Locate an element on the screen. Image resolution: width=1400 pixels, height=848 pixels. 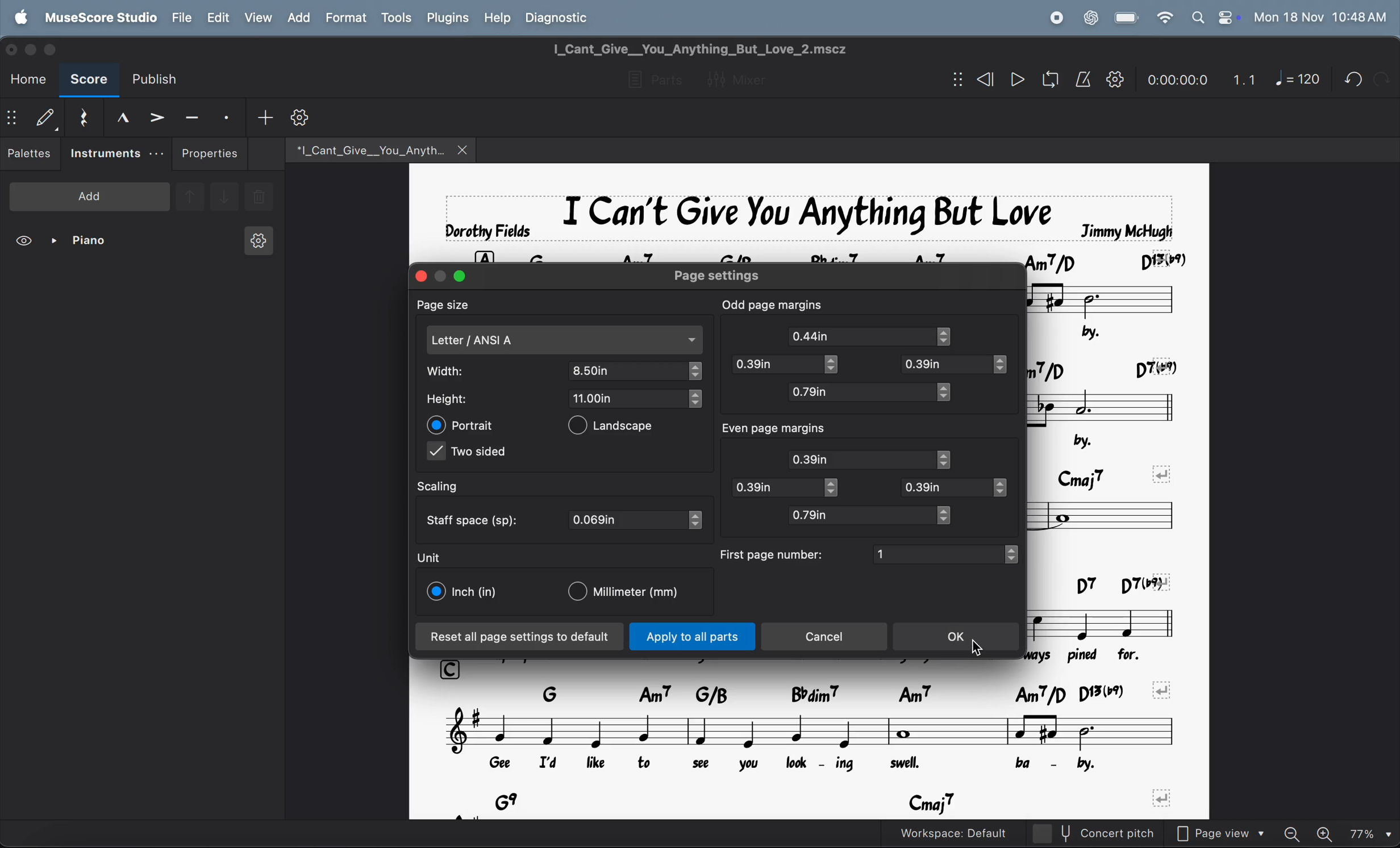
toggle is located at coordinates (697, 520).